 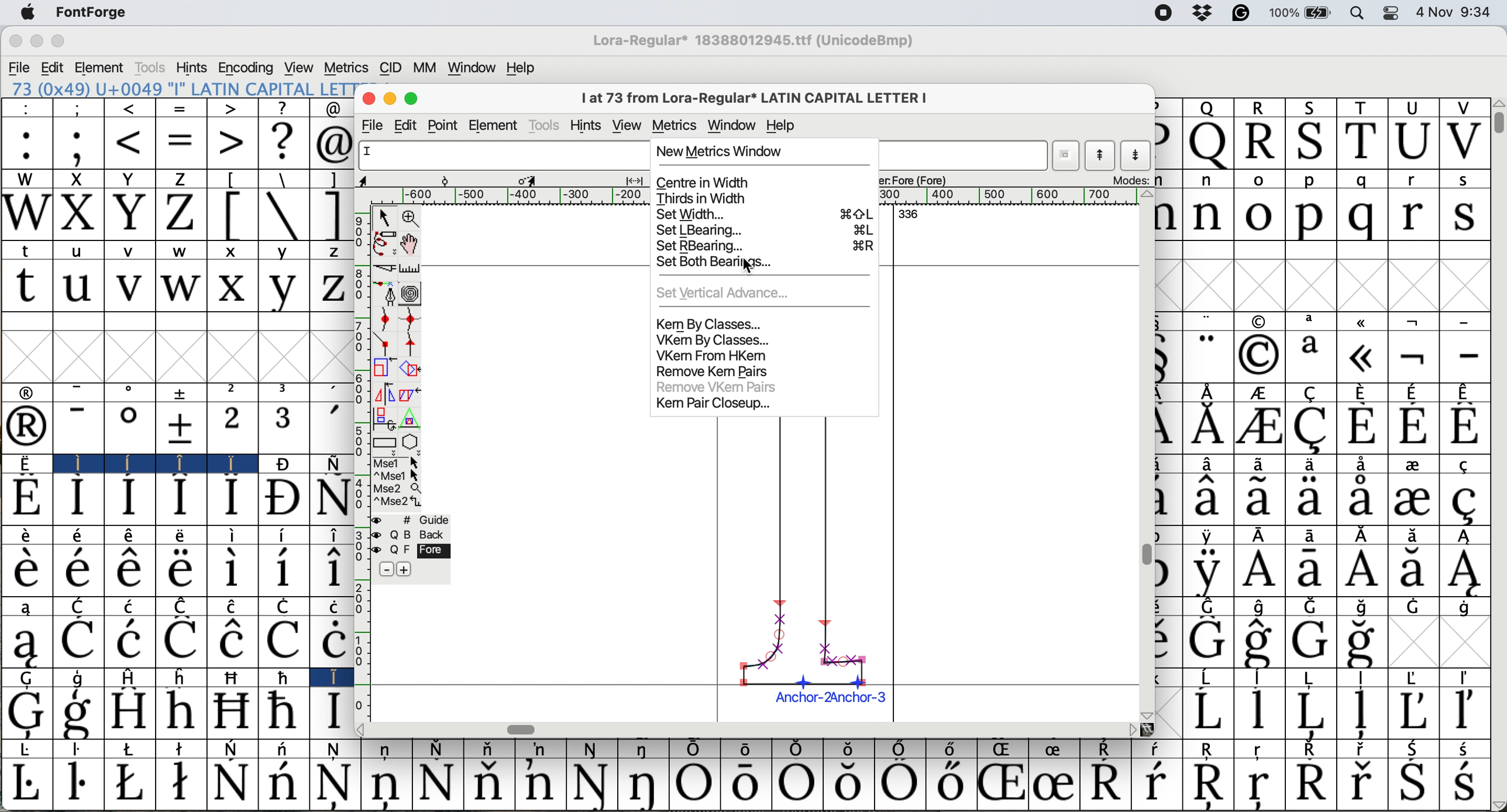 What do you see at coordinates (387, 784) in the screenshot?
I see `Symbol` at bounding box center [387, 784].